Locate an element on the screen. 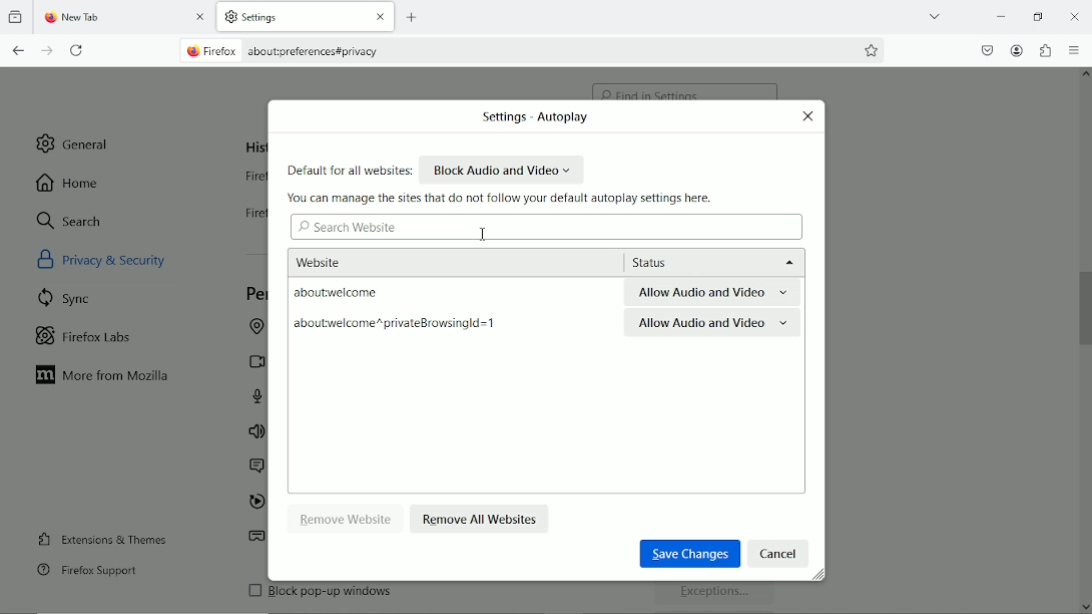 Image resolution: width=1092 pixels, height=614 pixels. autoplay is located at coordinates (255, 503).